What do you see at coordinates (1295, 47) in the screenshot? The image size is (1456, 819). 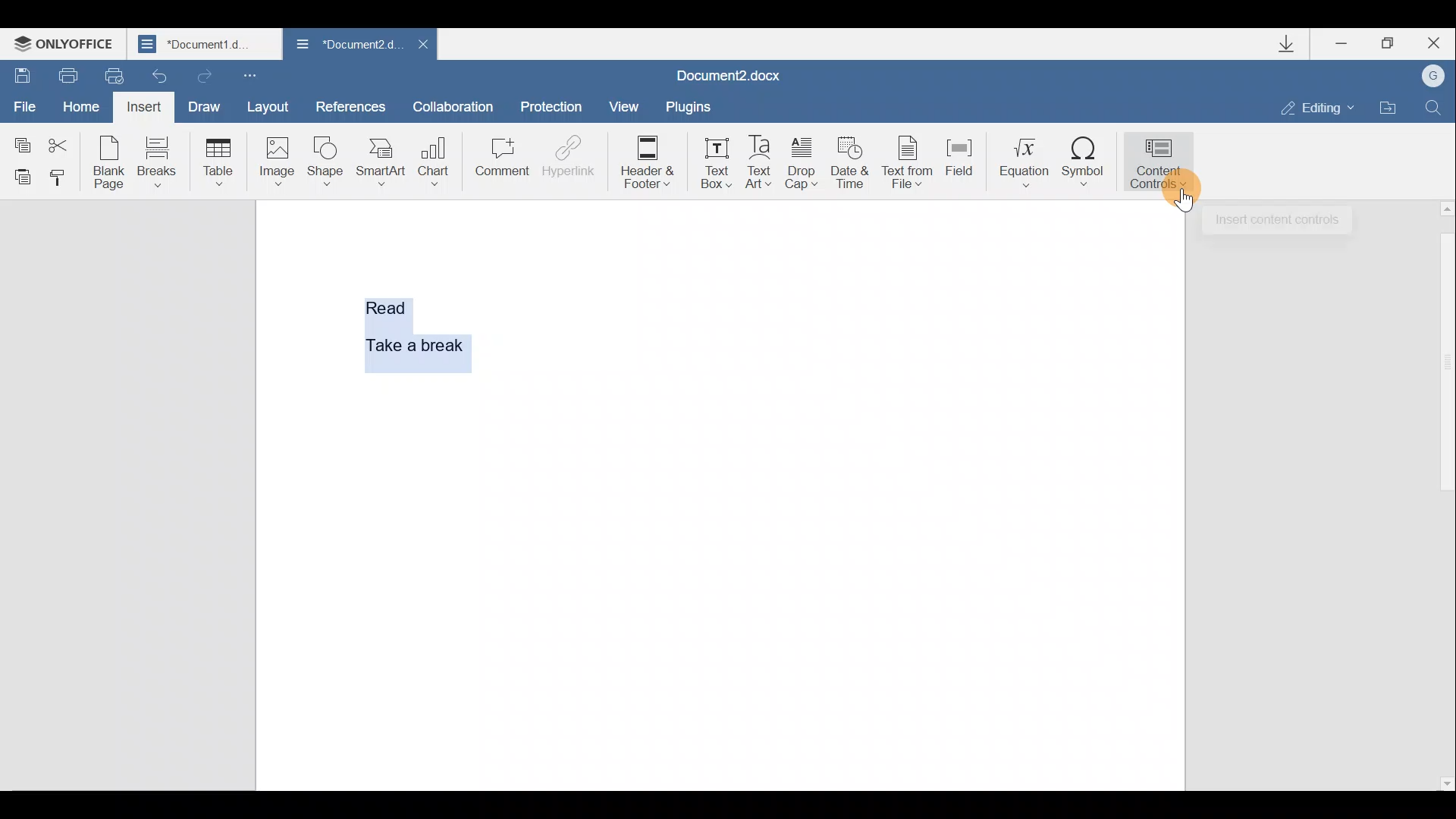 I see `Downloads` at bounding box center [1295, 47].